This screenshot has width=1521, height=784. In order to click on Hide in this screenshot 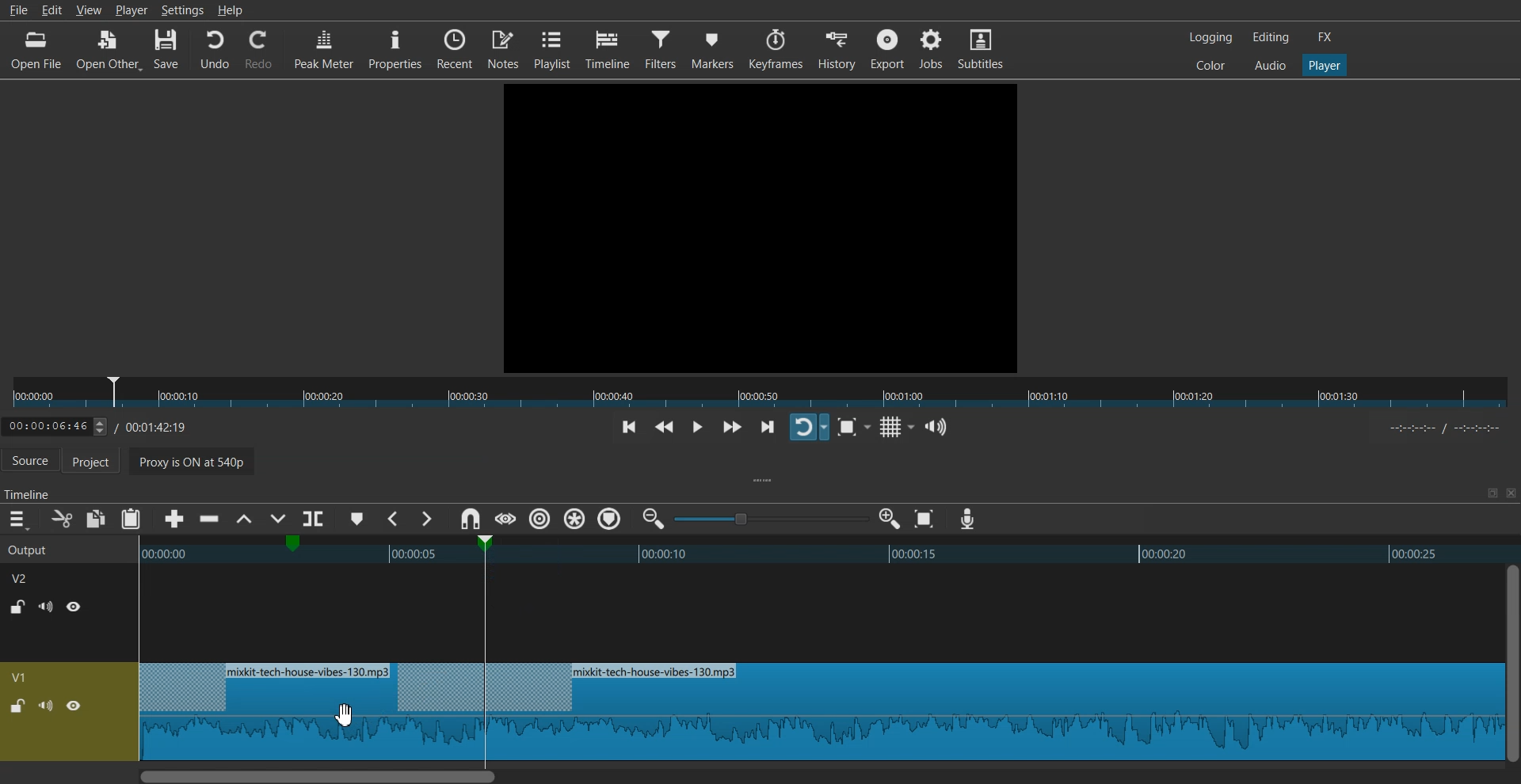, I will do `click(74, 706)`.